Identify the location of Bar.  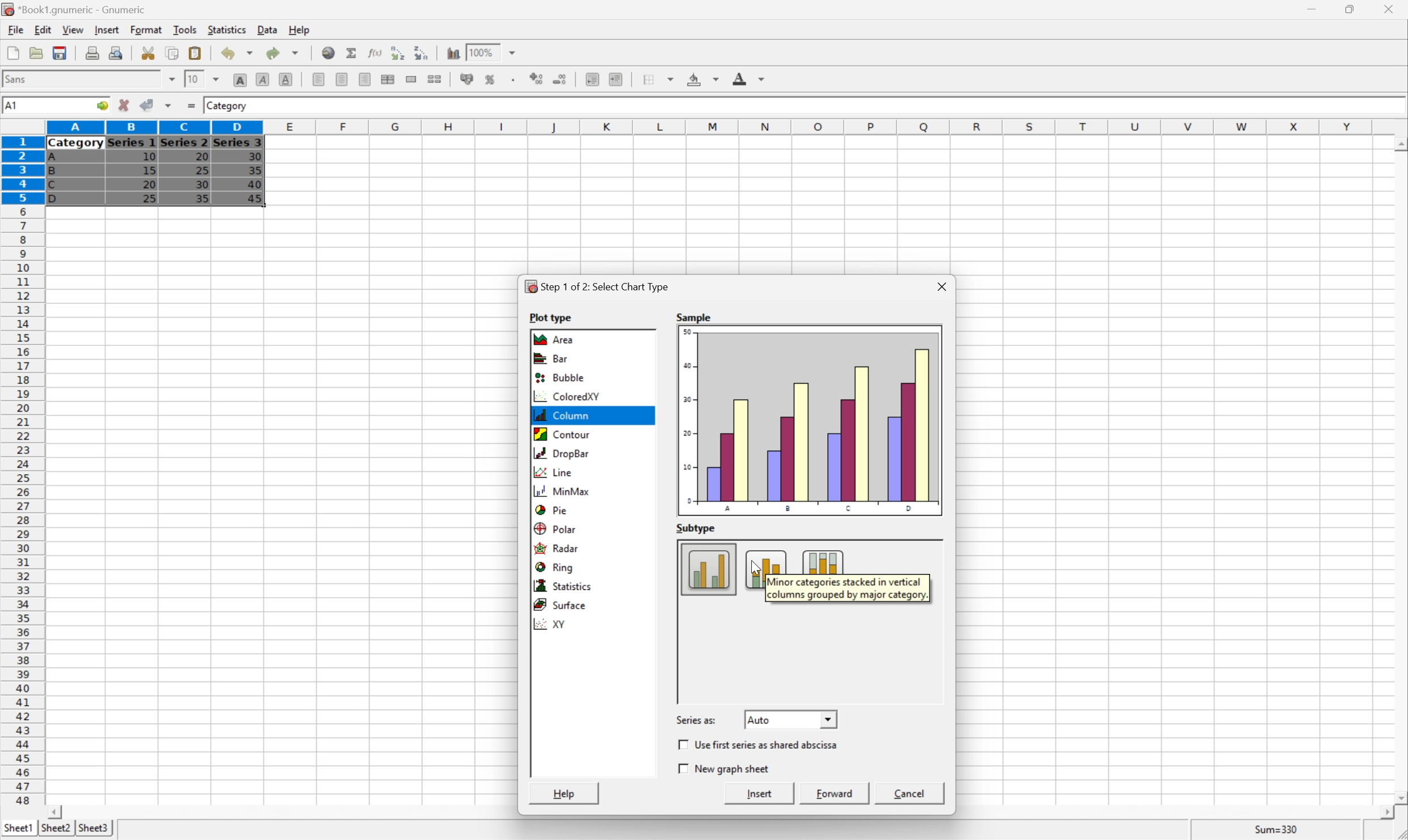
(551, 359).